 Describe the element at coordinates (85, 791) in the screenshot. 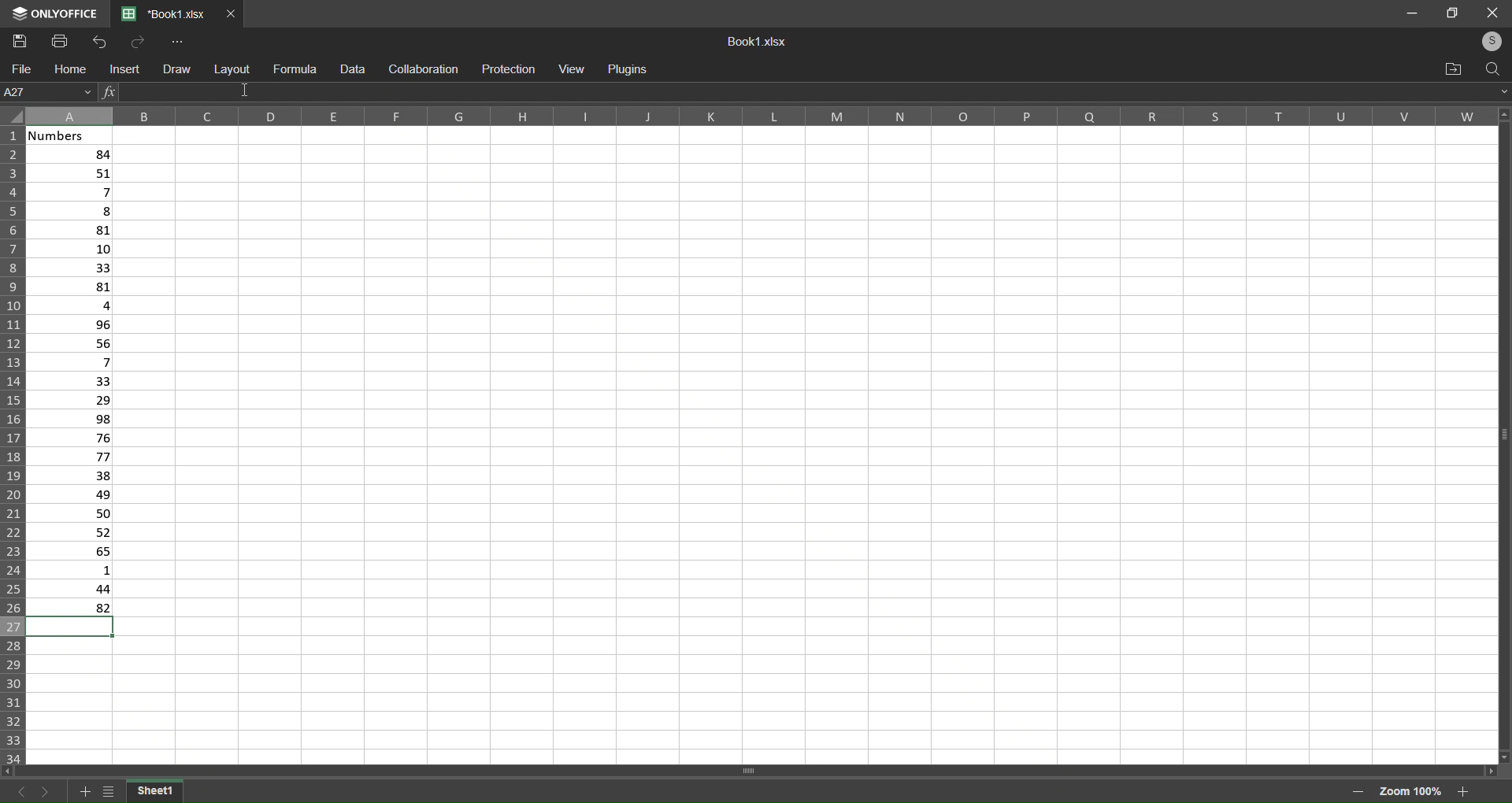

I see `add sheet` at that location.